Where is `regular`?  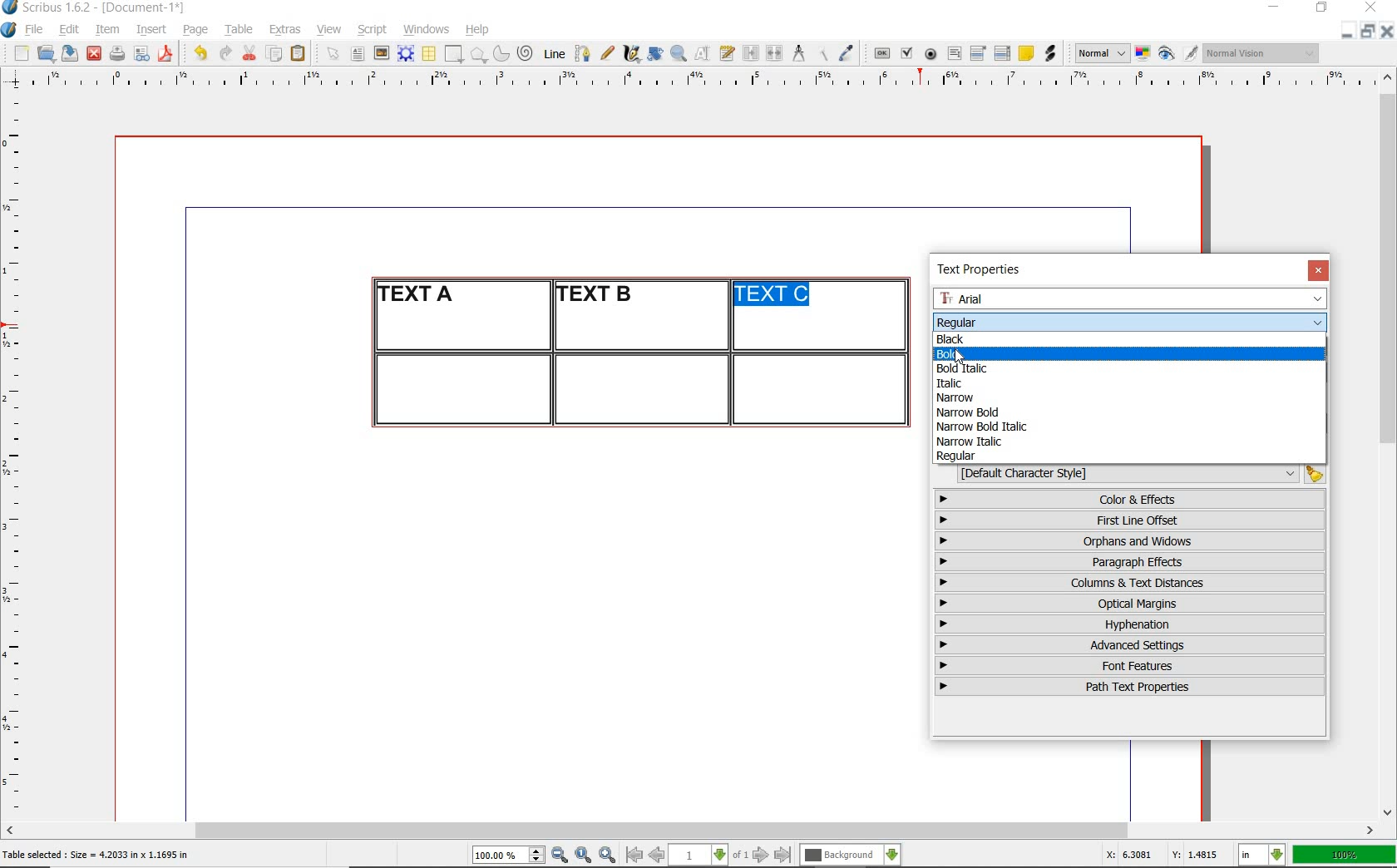
regular is located at coordinates (957, 456).